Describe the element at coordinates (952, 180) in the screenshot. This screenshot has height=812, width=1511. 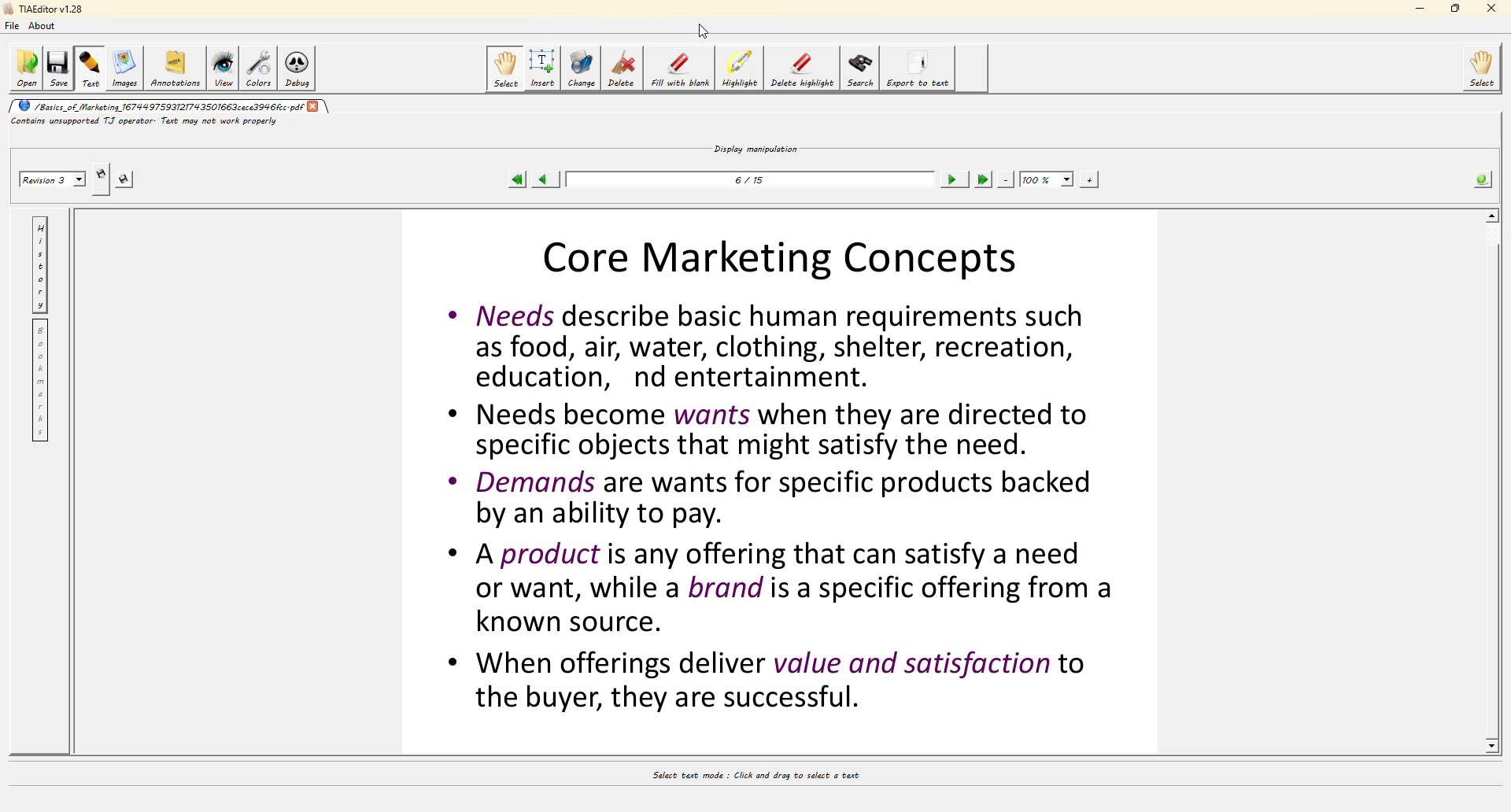
I see `next page` at that location.